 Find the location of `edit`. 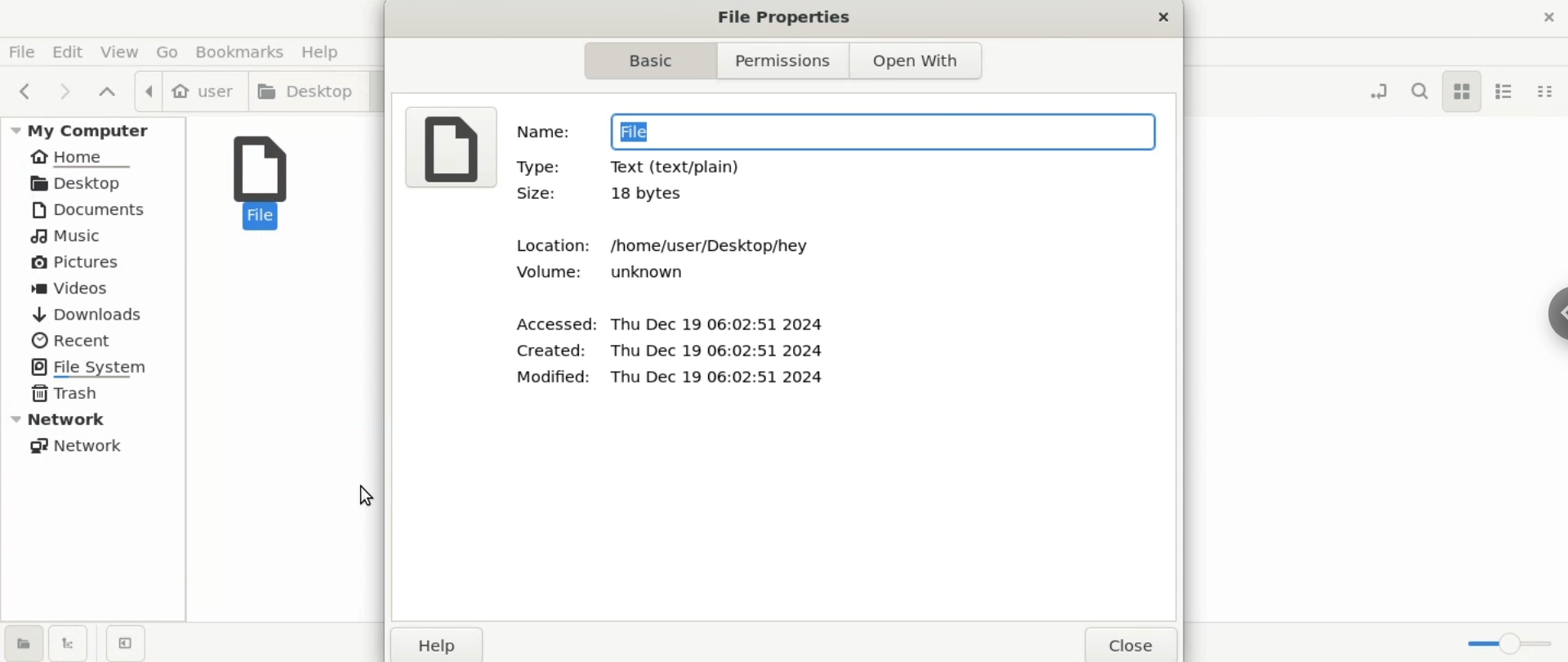

edit is located at coordinates (67, 51).